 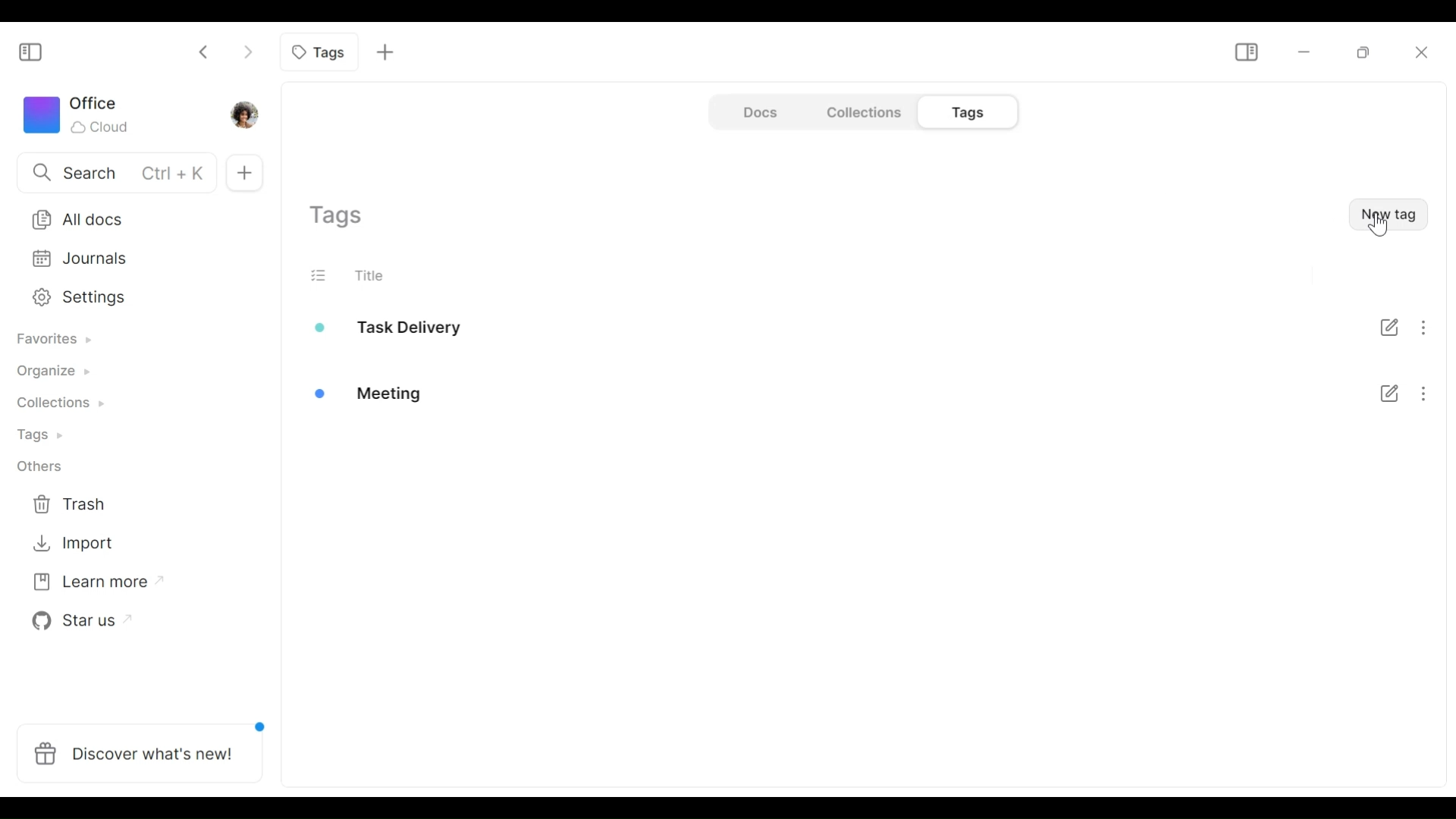 What do you see at coordinates (1246, 53) in the screenshot?
I see `Show/Hide Sidebar` at bounding box center [1246, 53].